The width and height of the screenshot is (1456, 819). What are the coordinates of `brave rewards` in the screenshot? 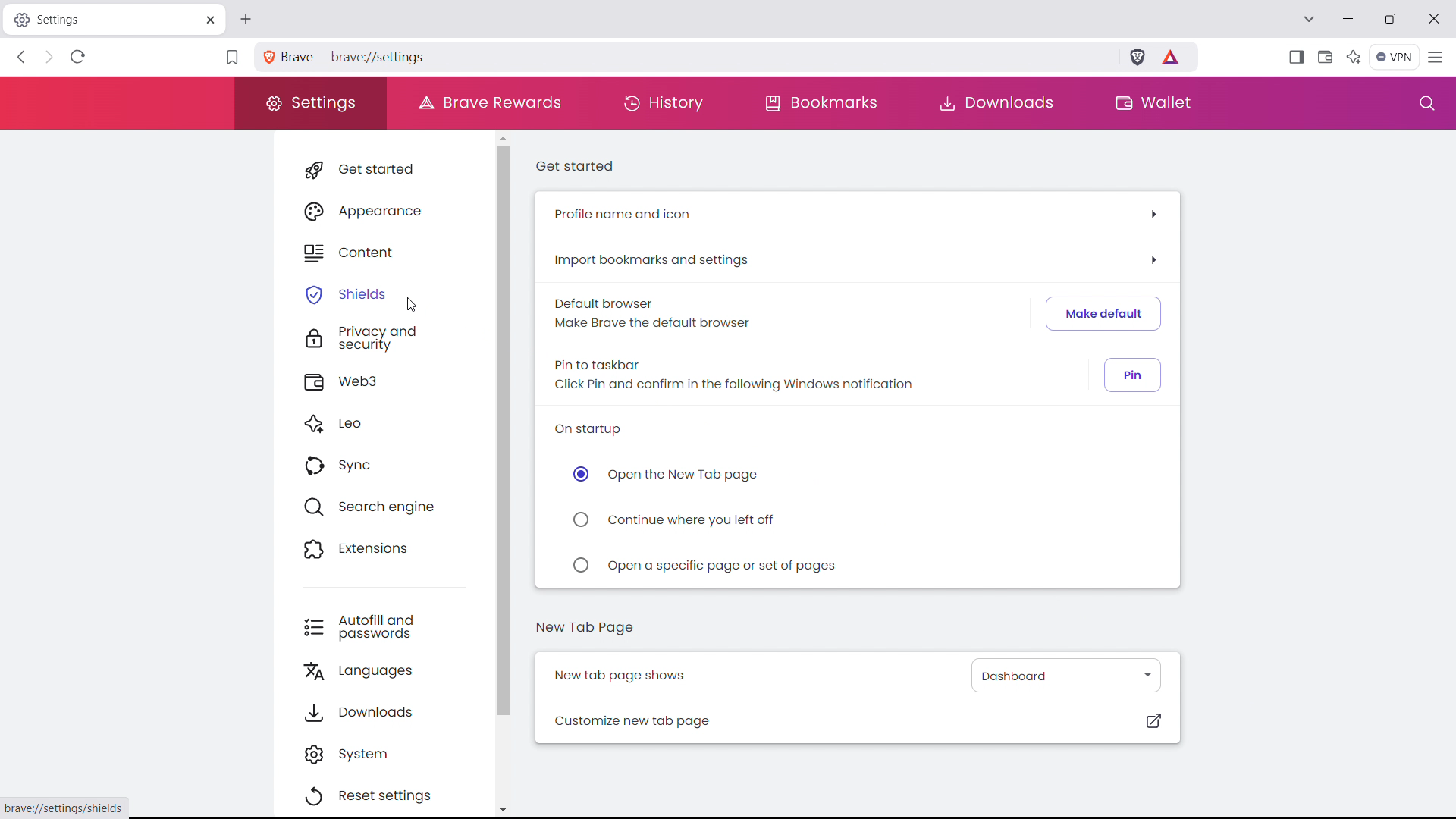 It's located at (488, 102).